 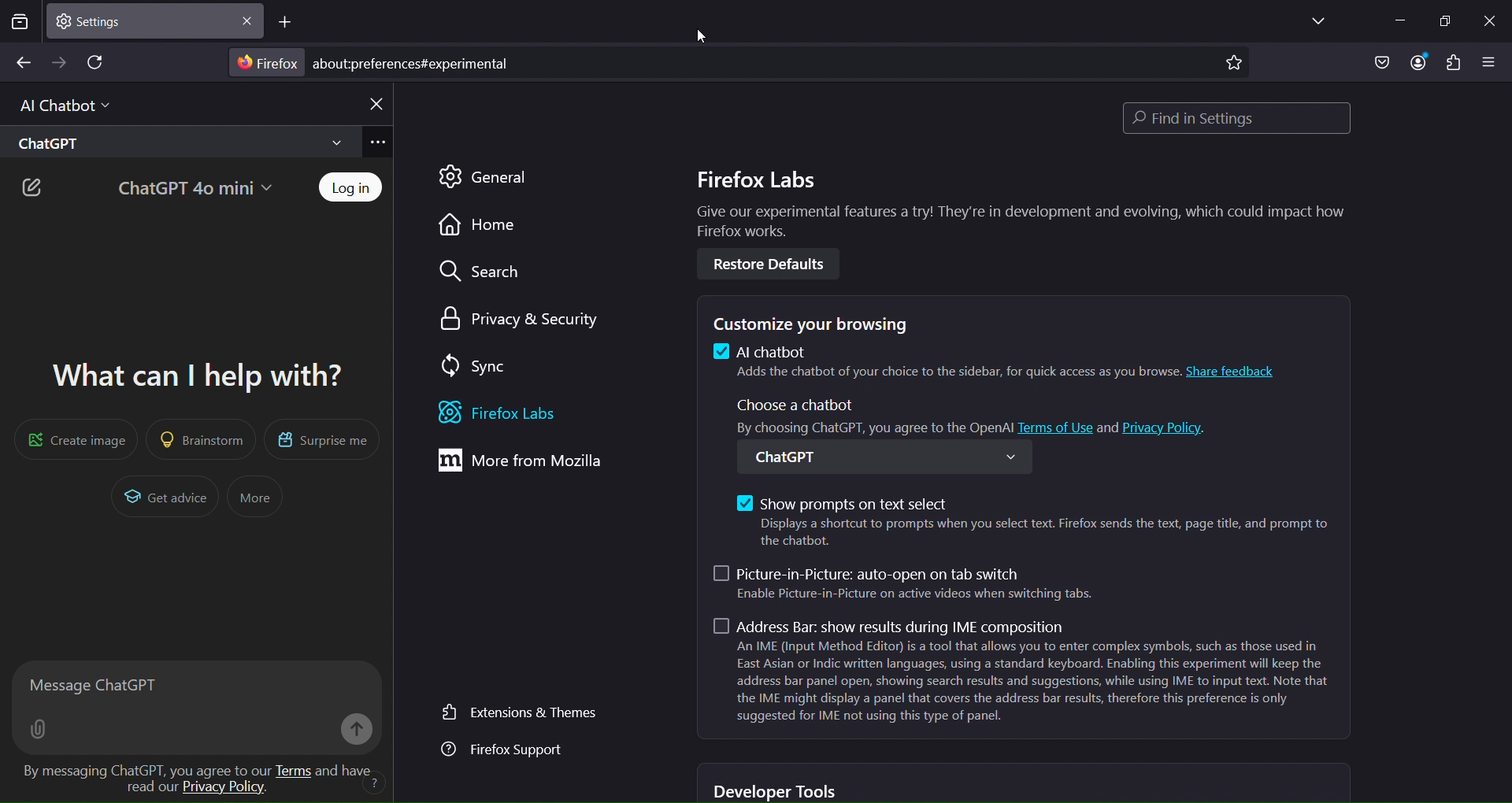 What do you see at coordinates (104, 20) in the screenshot?
I see `current tab` at bounding box center [104, 20].